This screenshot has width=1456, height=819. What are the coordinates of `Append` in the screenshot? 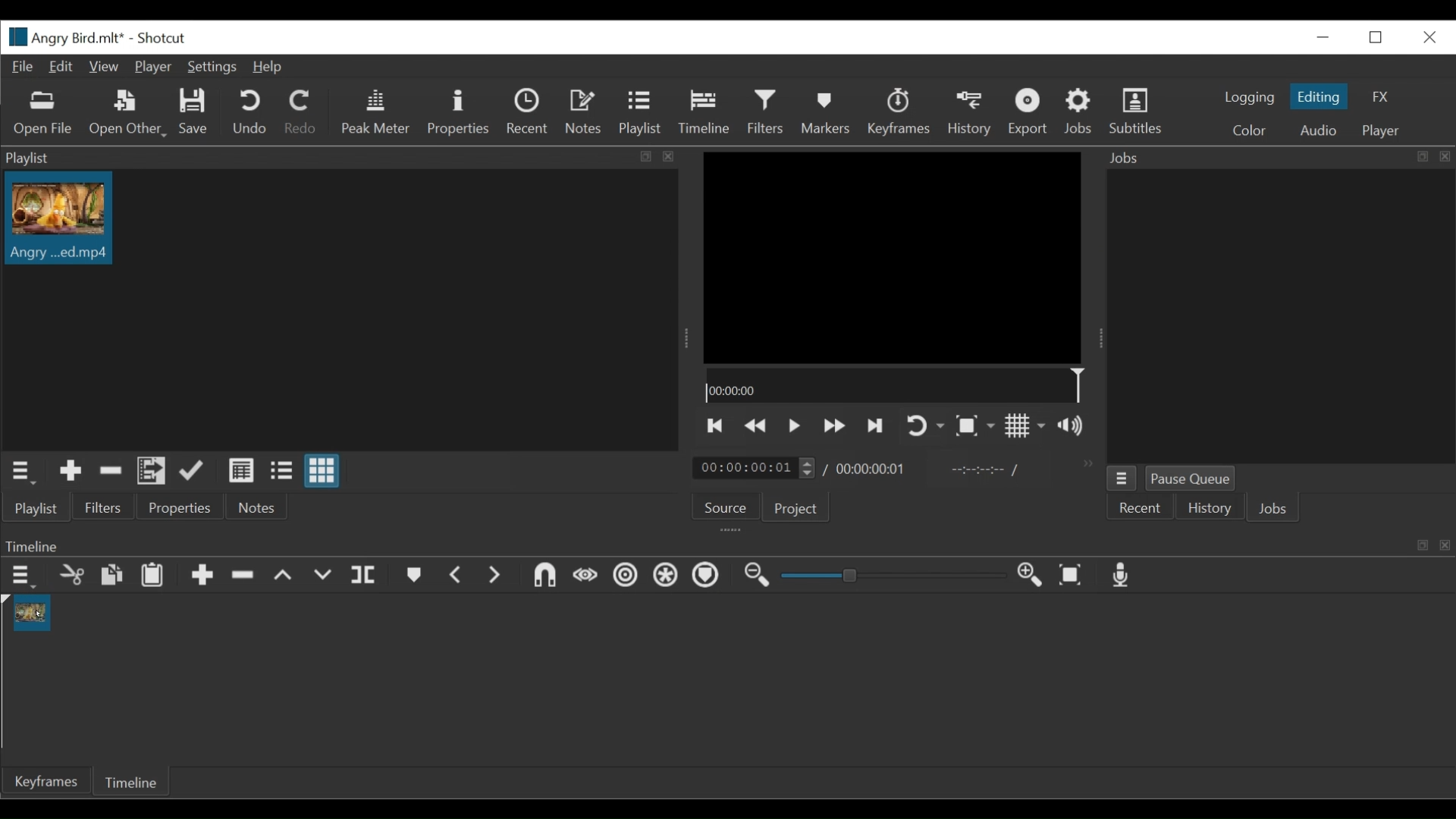 It's located at (203, 576).